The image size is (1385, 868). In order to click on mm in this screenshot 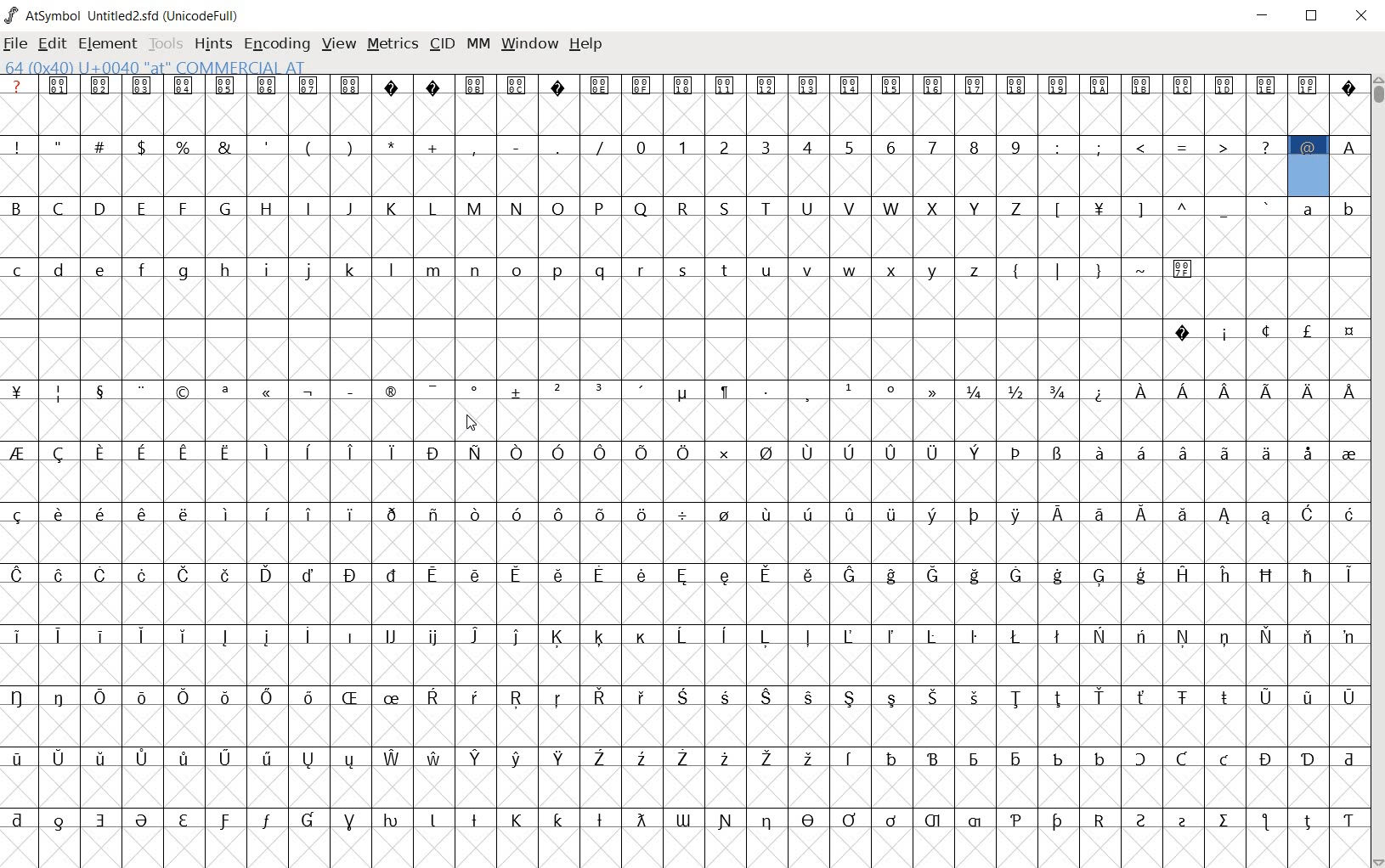, I will do `click(478, 44)`.